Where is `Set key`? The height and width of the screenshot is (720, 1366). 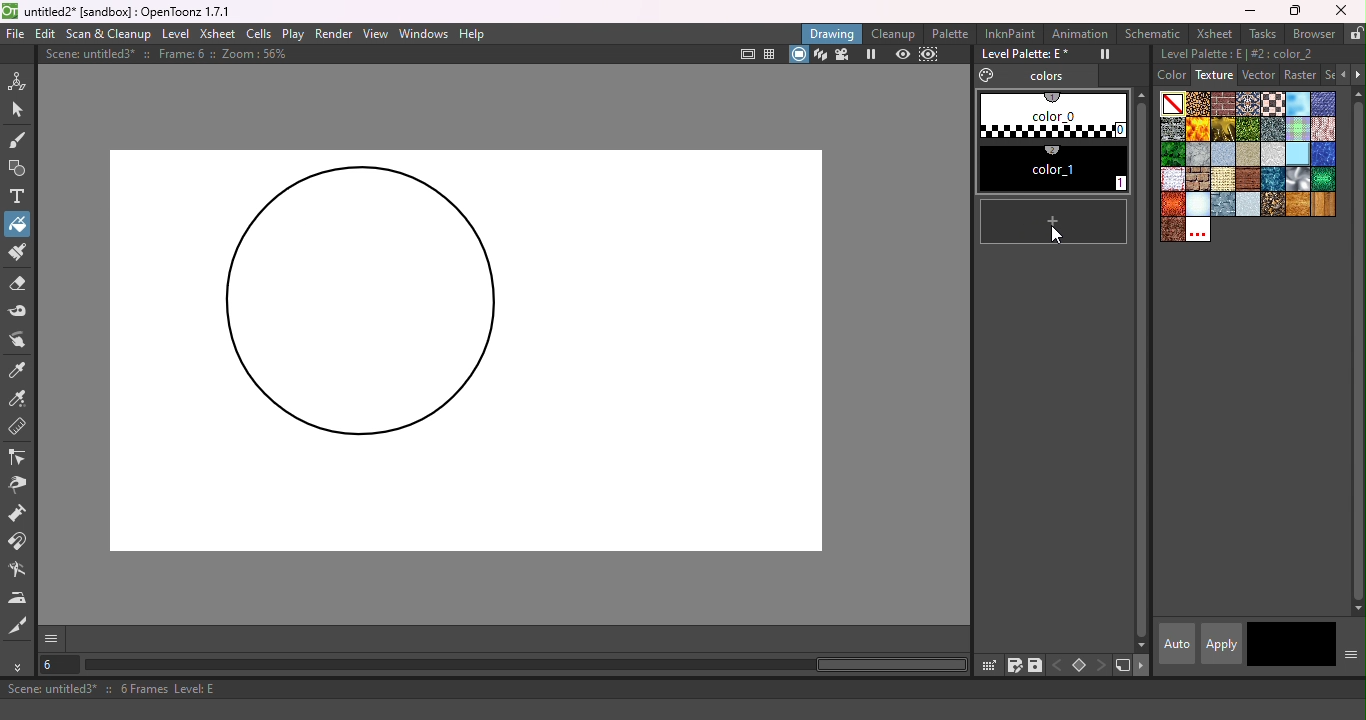 Set key is located at coordinates (1079, 666).